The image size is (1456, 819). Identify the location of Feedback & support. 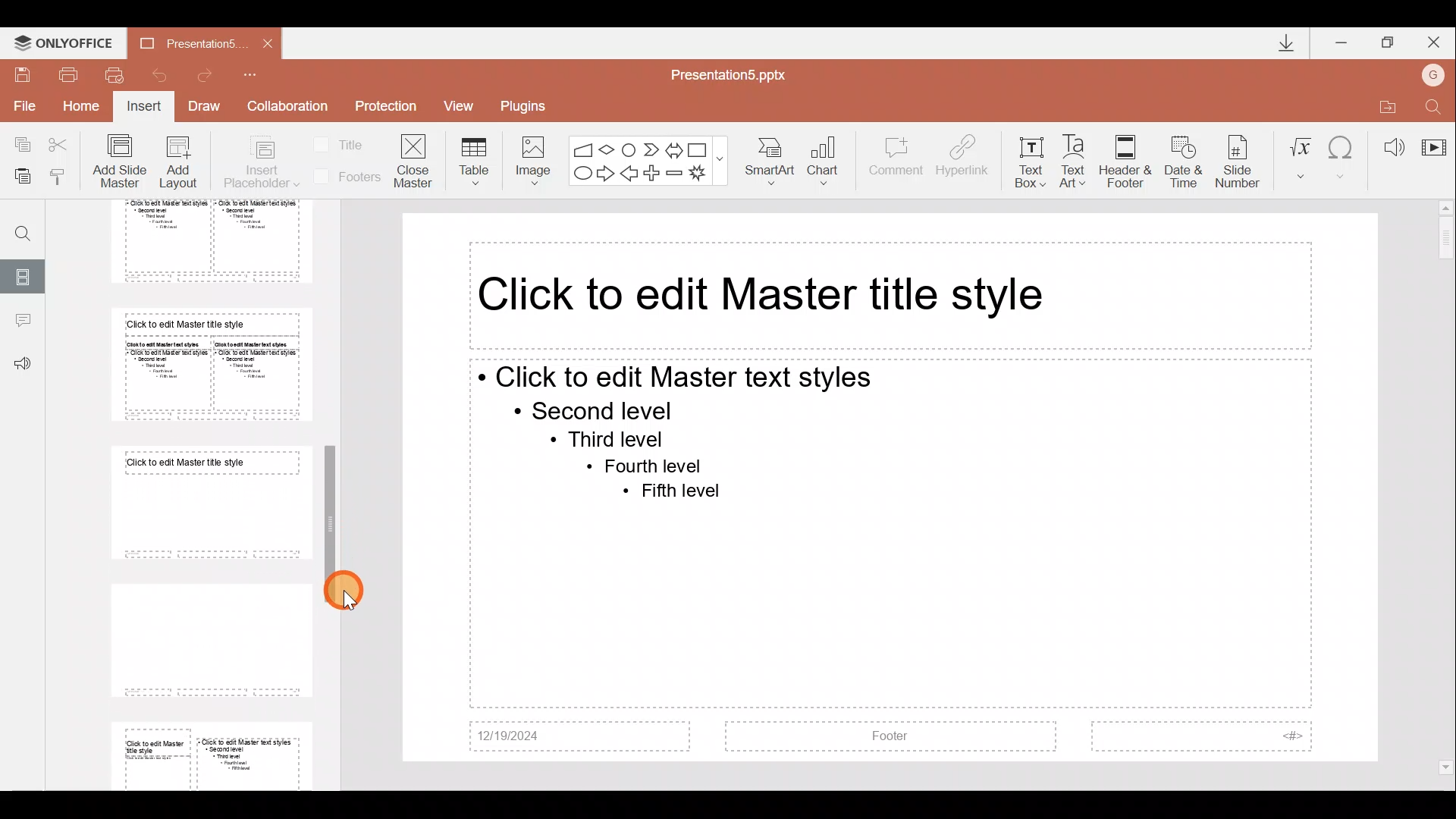
(23, 365).